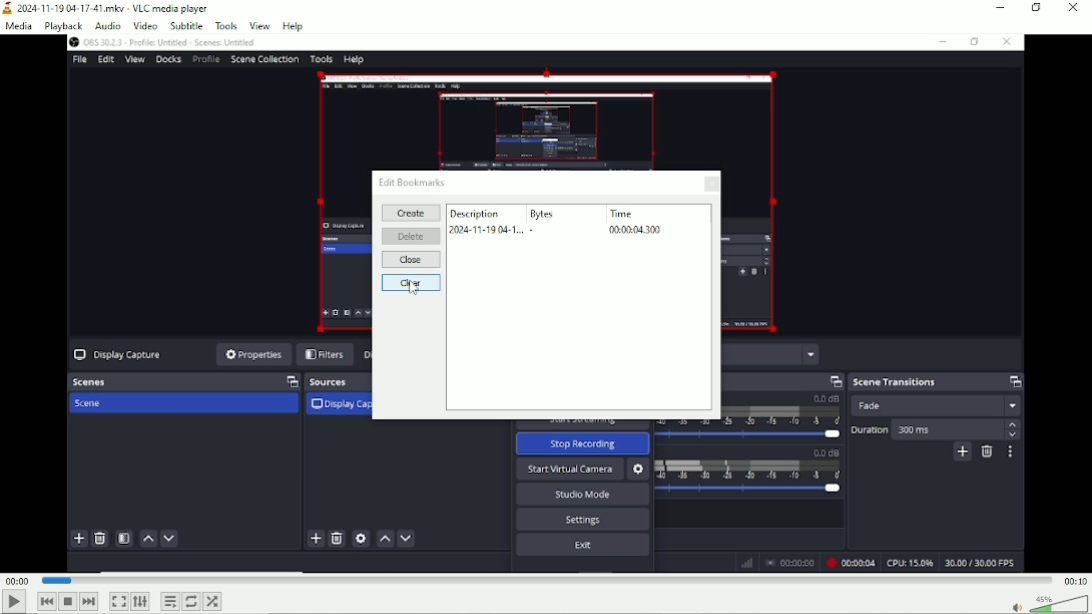 The height and width of the screenshot is (614, 1092). What do you see at coordinates (410, 213) in the screenshot?
I see `Create` at bounding box center [410, 213].